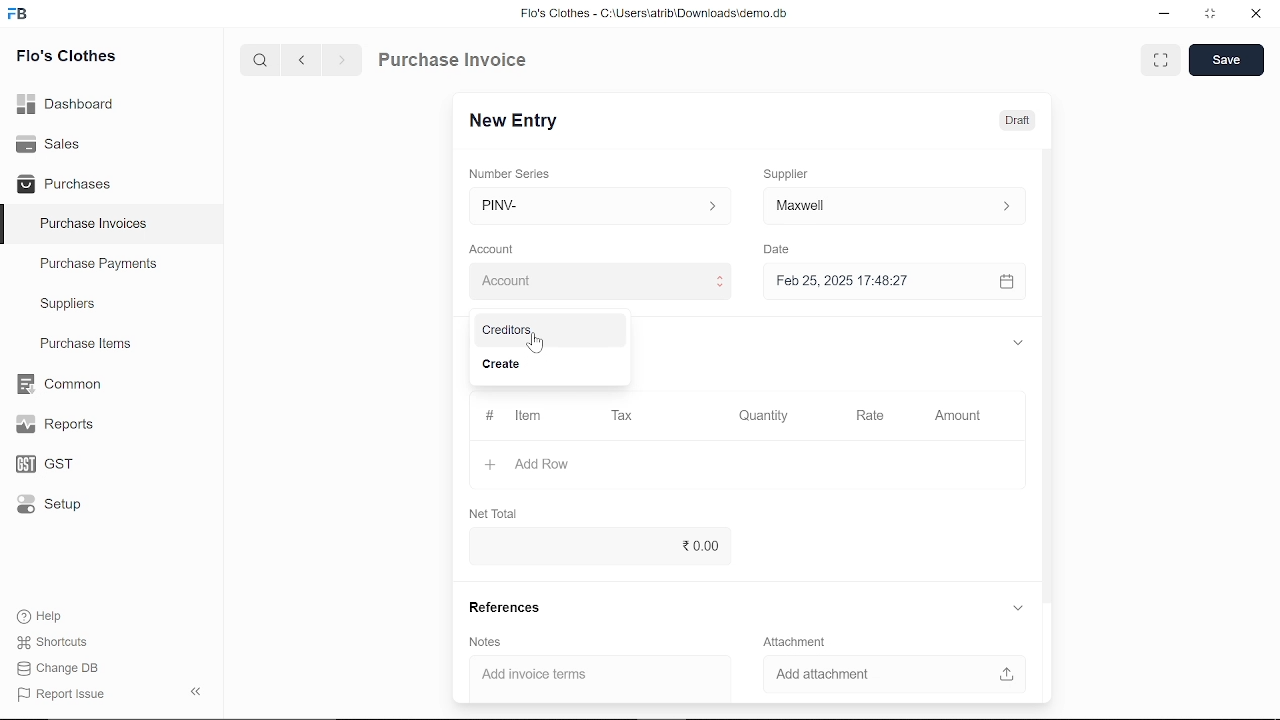 This screenshot has height=720, width=1280. What do you see at coordinates (1009, 282) in the screenshot?
I see `calender` at bounding box center [1009, 282].